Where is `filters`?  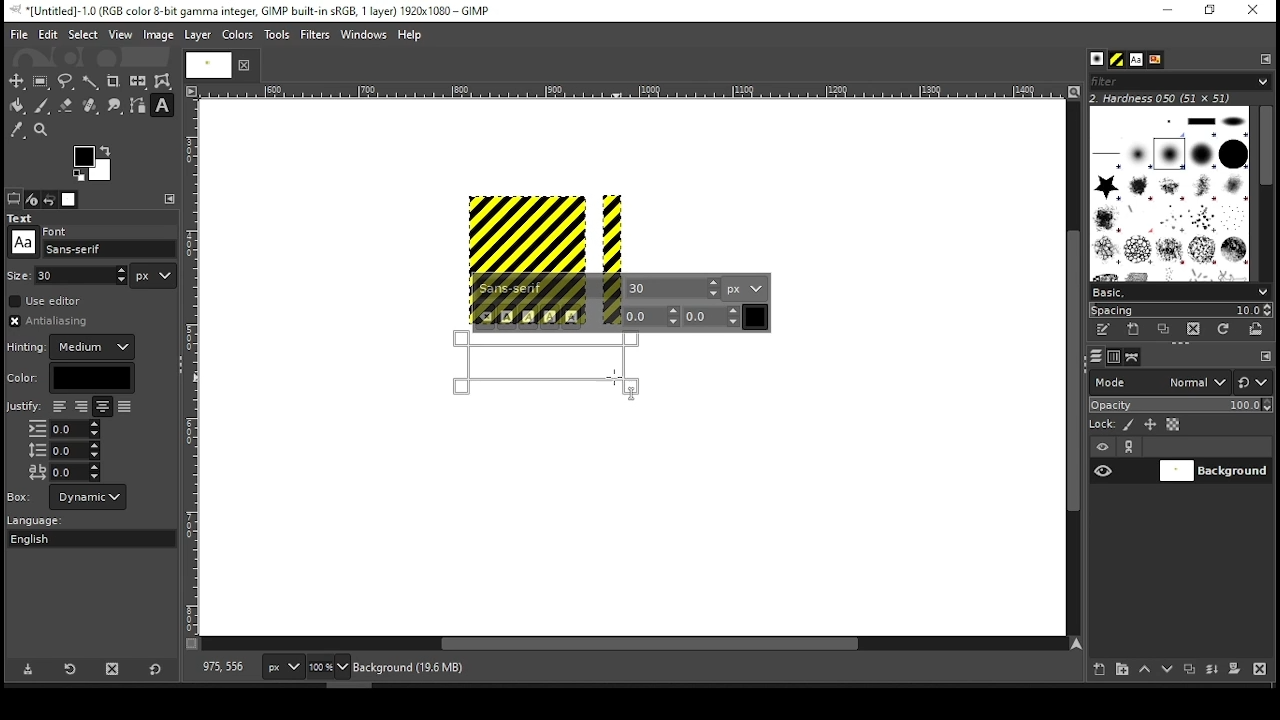
filters is located at coordinates (1177, 82).